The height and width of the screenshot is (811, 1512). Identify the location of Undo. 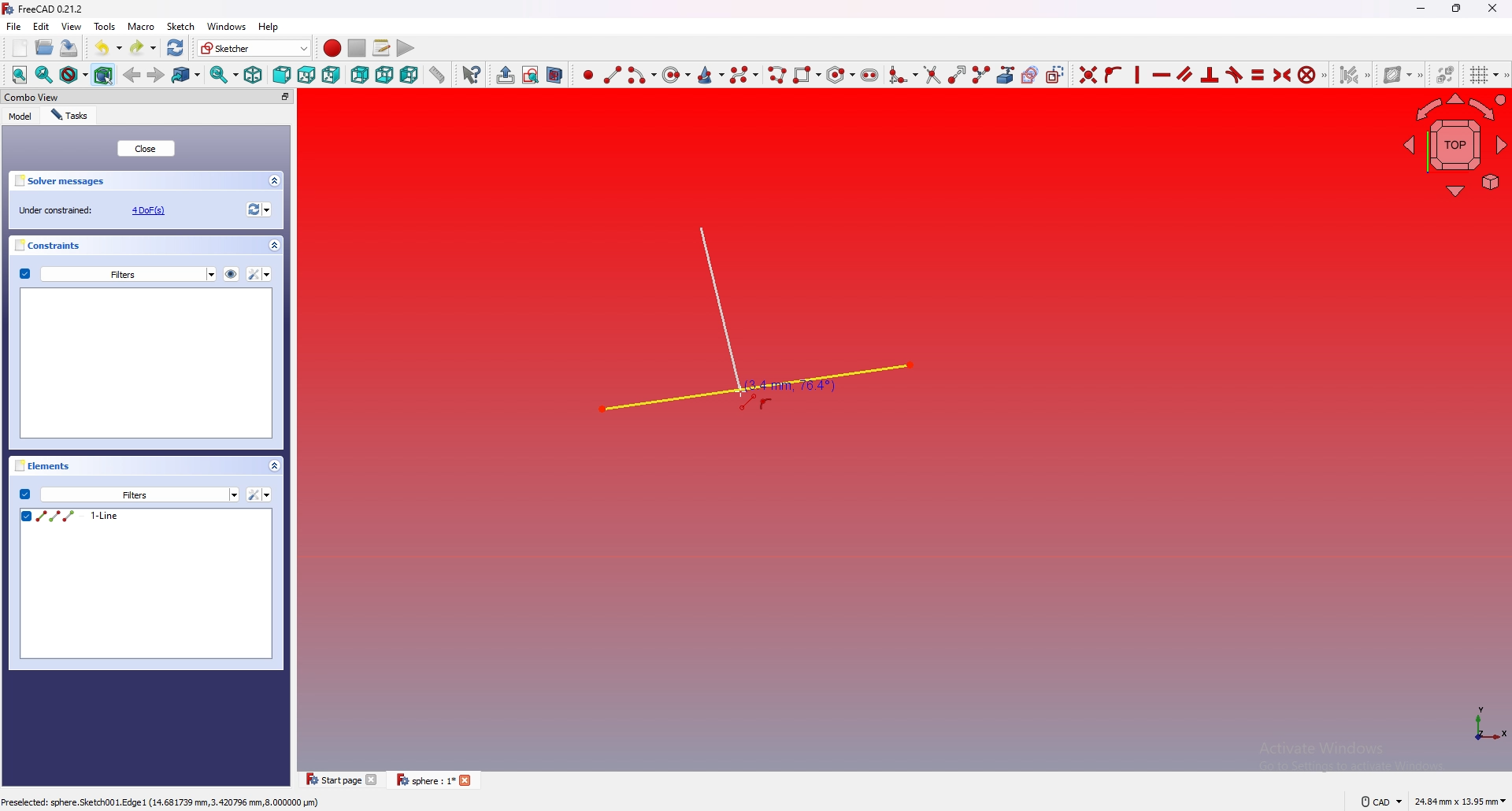
(102, 46).